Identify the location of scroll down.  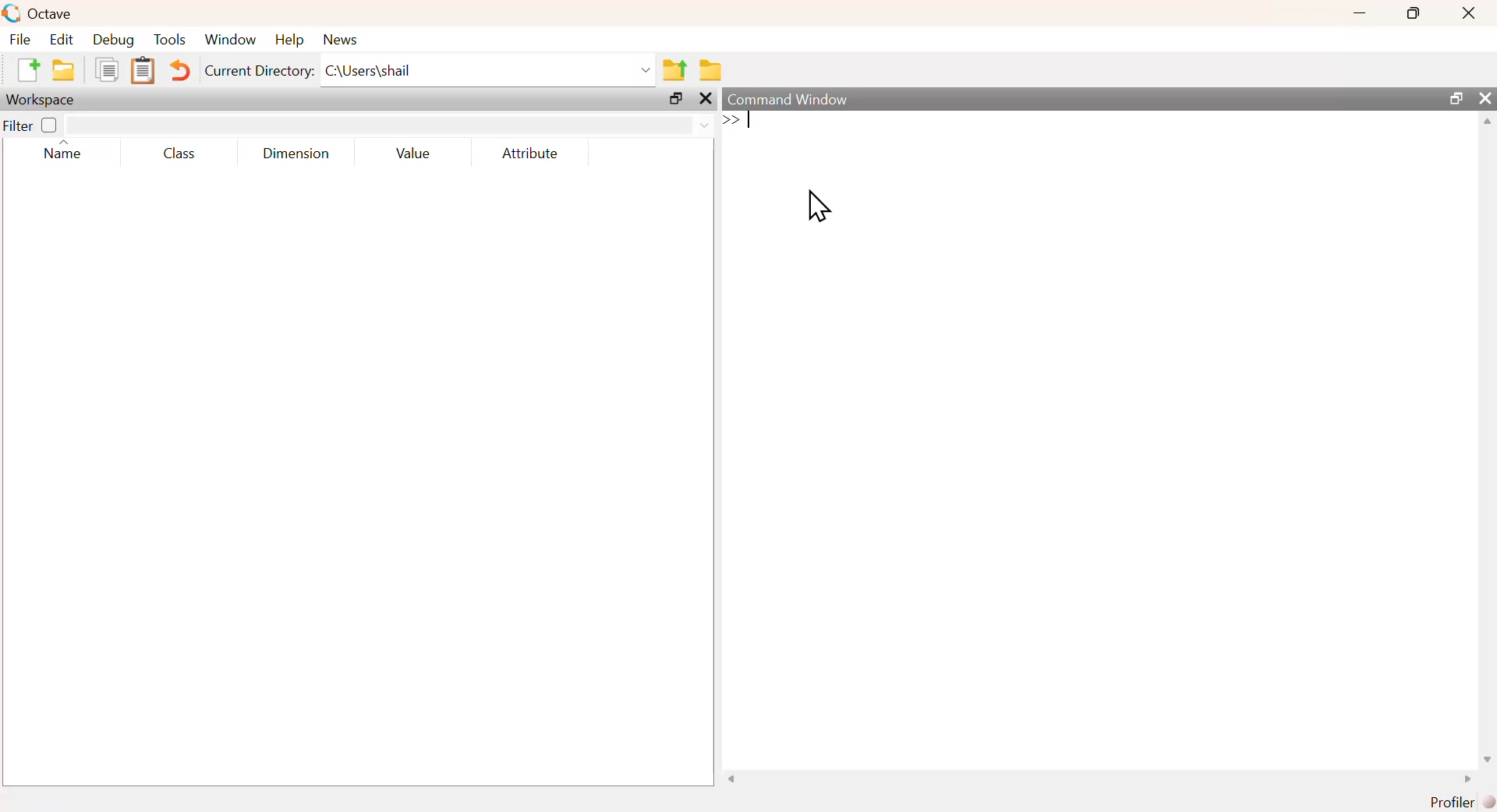
(1485, 761).